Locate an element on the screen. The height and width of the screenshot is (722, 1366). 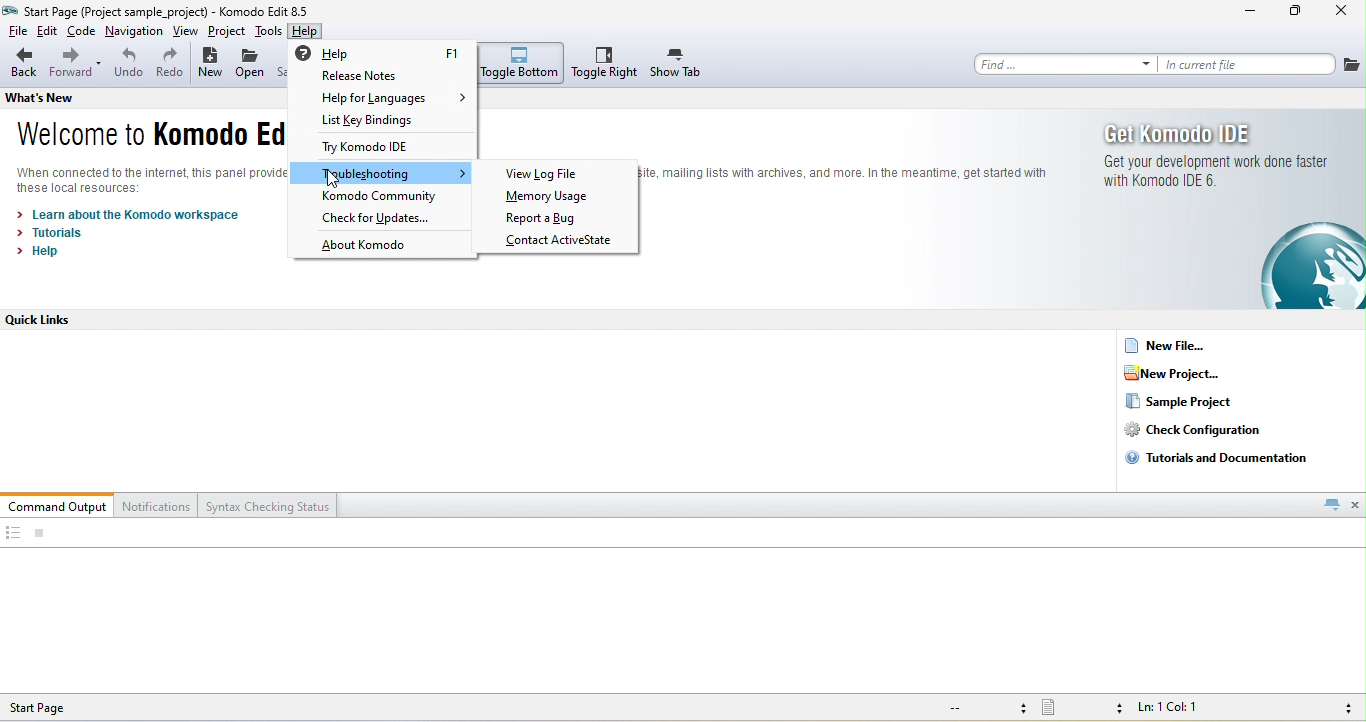
about komodo is located at coordinates (369, 247).